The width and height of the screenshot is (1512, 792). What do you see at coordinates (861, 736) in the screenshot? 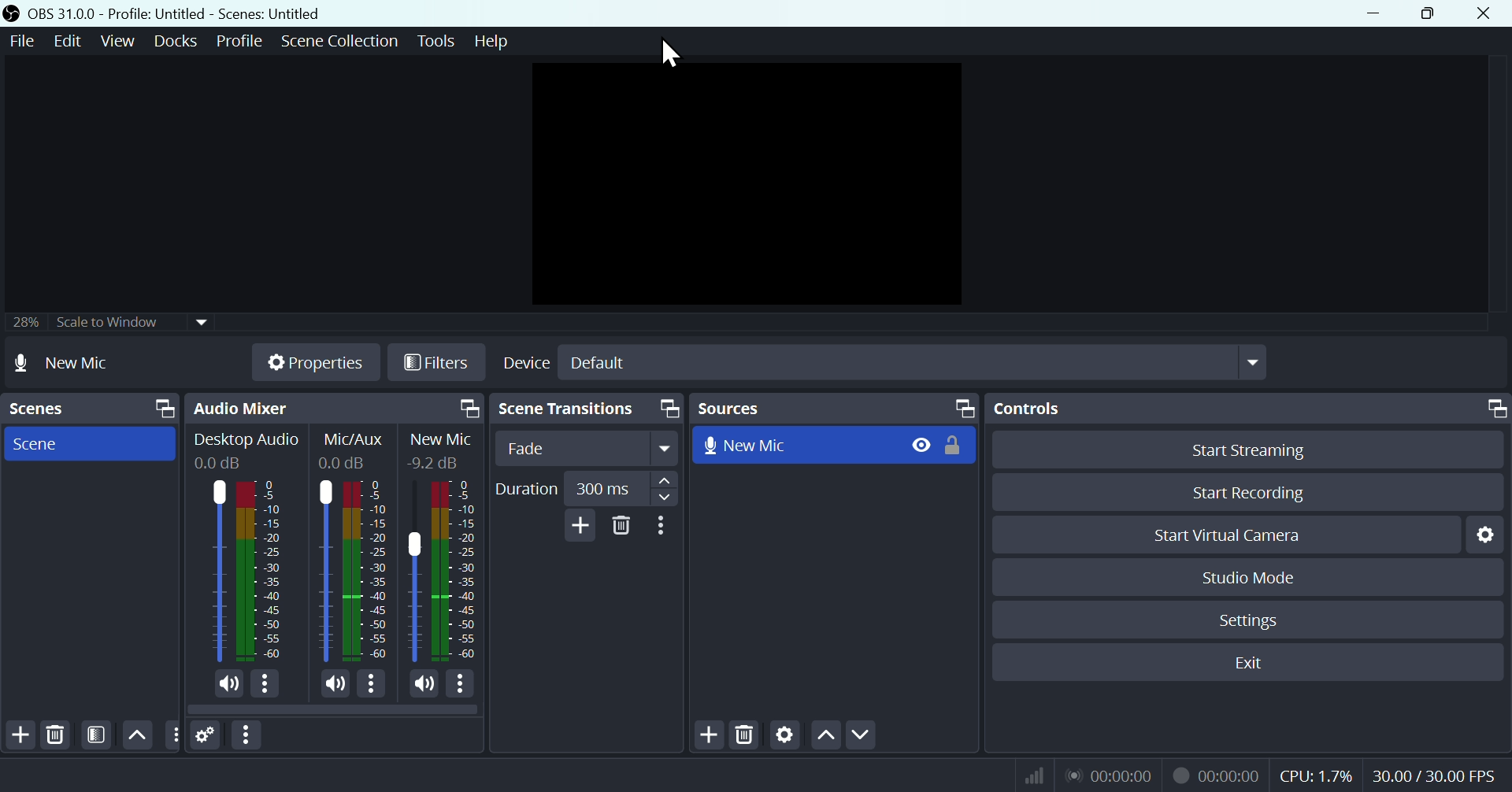
I see `Down` at bounding box center [861, 736].